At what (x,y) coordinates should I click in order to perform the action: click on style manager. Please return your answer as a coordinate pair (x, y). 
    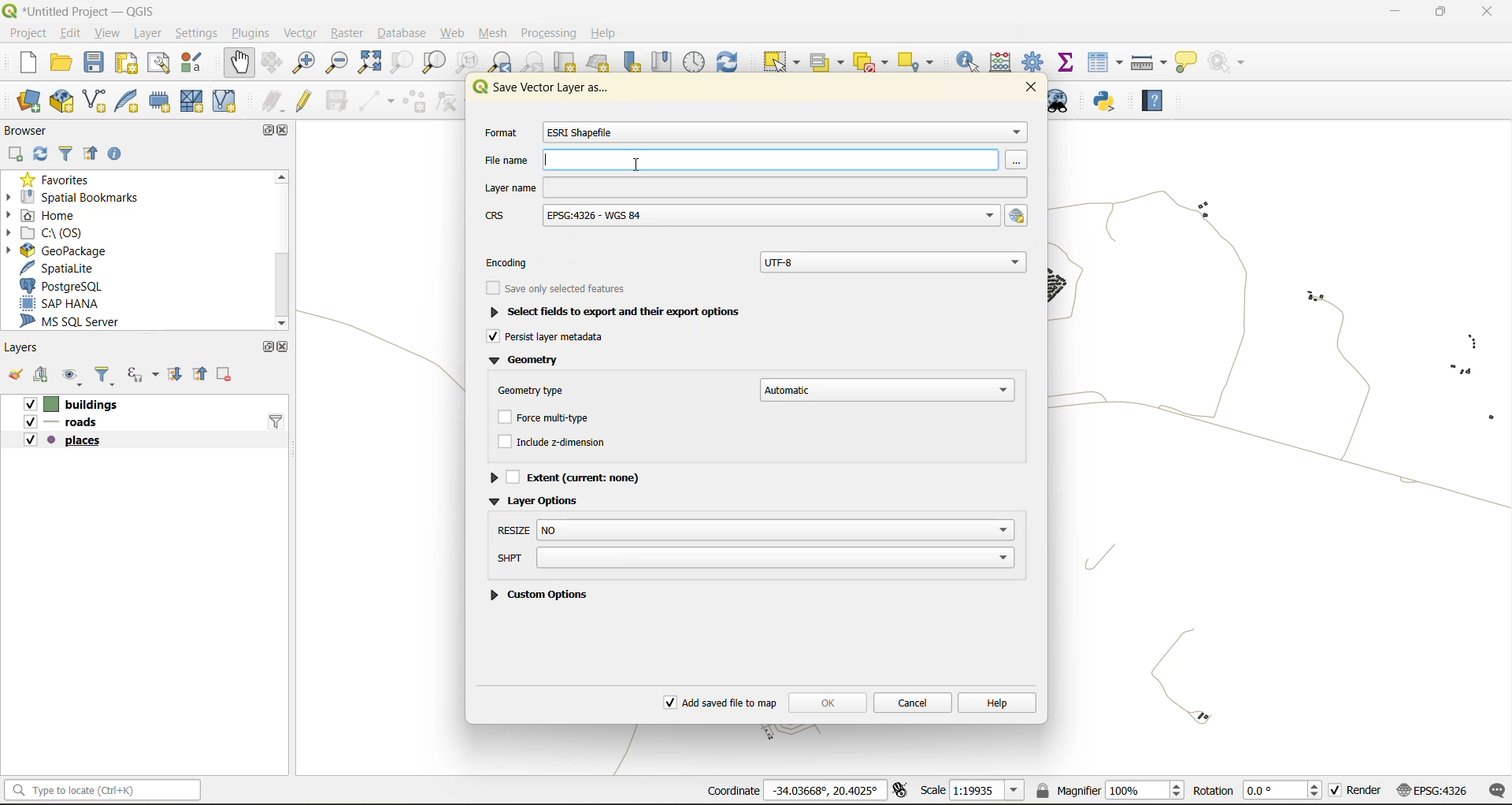
    Looking at the image, I should click on (198, 65).